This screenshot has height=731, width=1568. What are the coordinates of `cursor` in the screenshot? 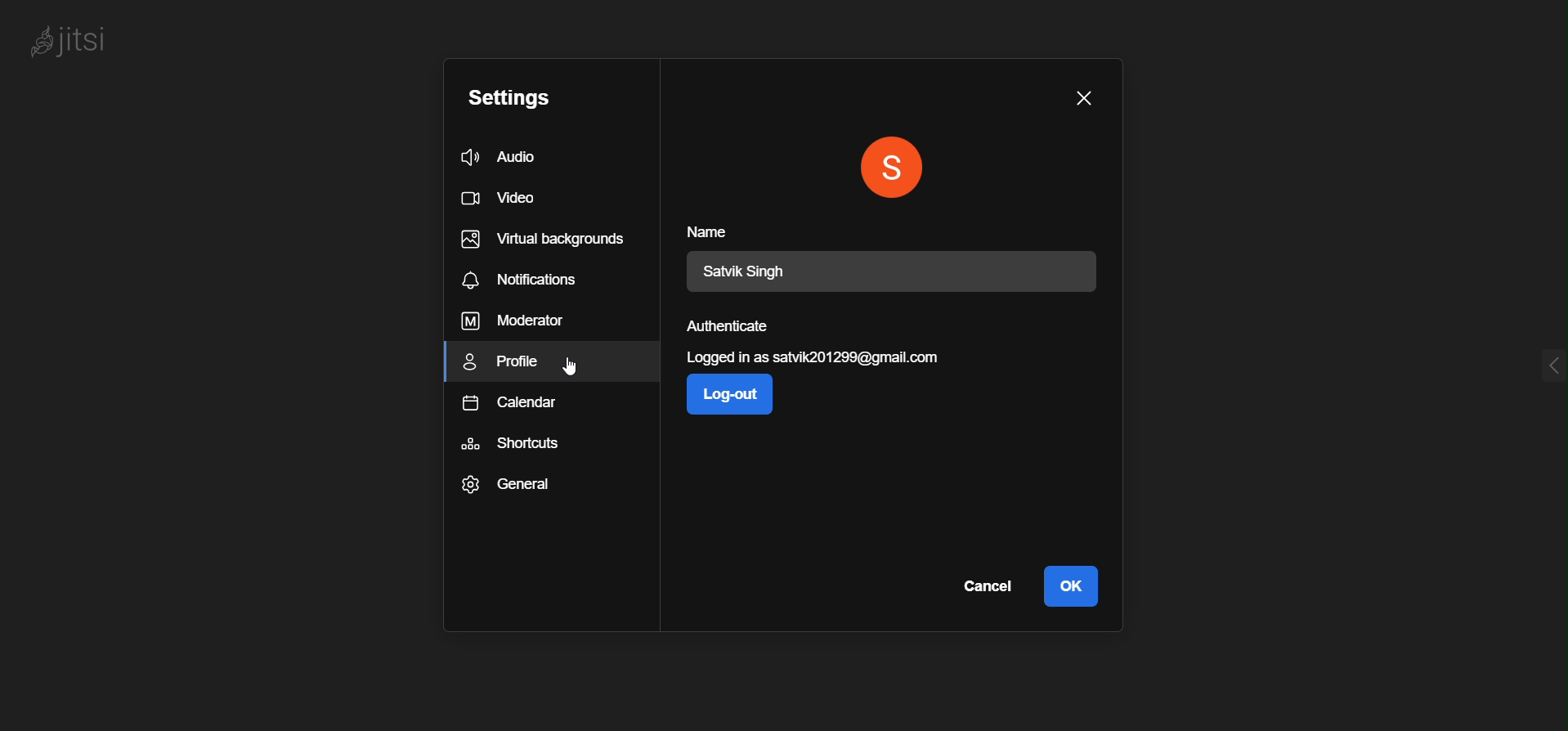 It's located at (574, 368).